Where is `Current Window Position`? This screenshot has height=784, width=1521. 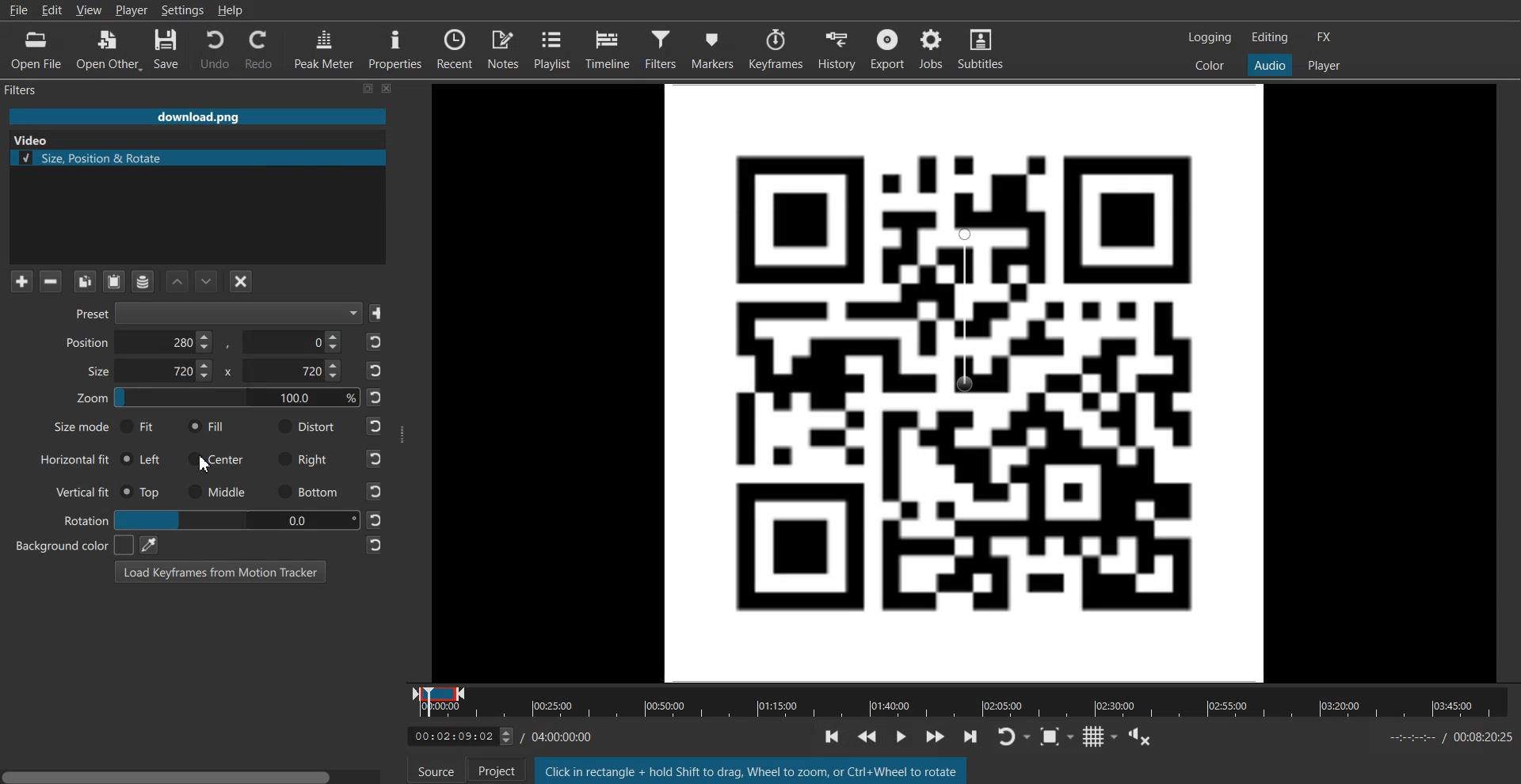 Current Window Position is located at coordinates (439, 690).